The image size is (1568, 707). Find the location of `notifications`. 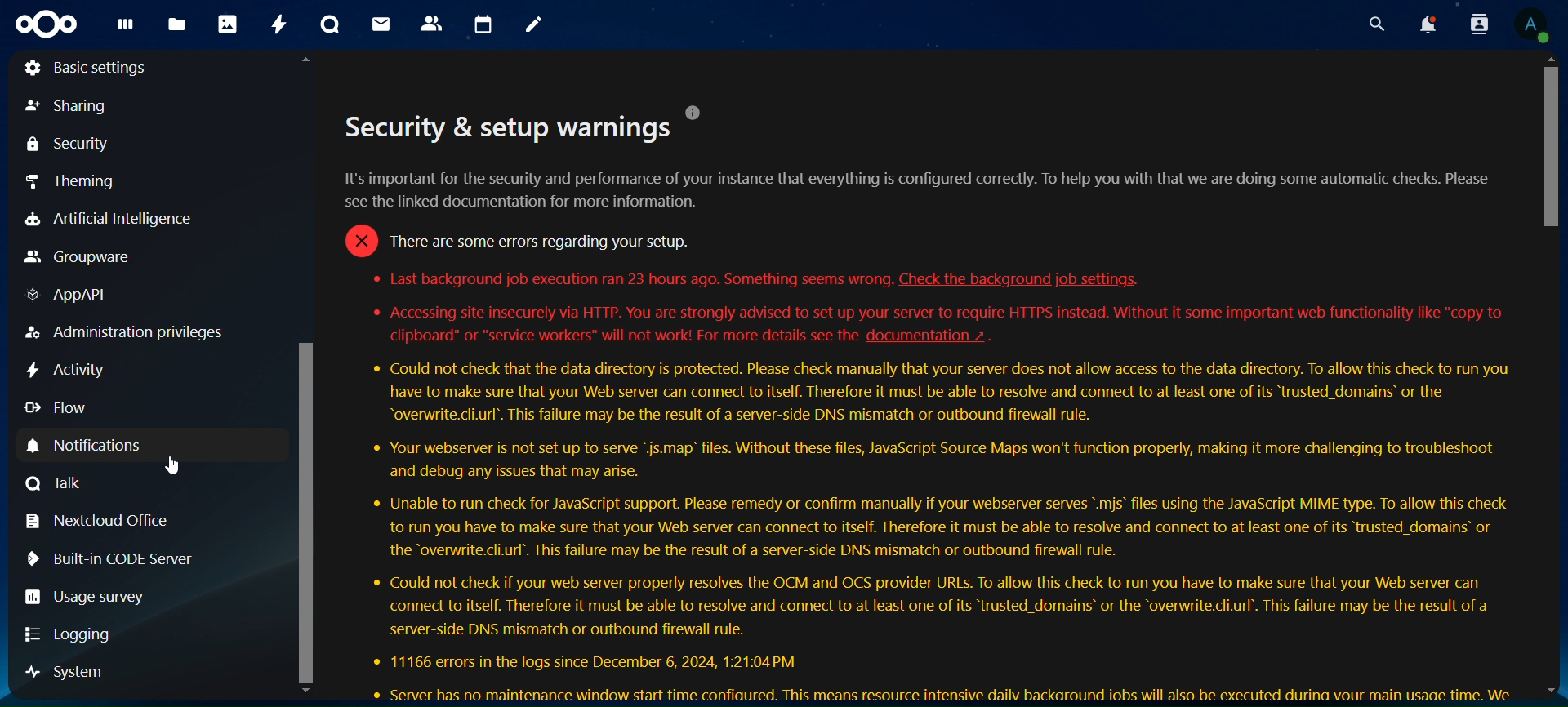

notifications is located at coordinates (114, 445).